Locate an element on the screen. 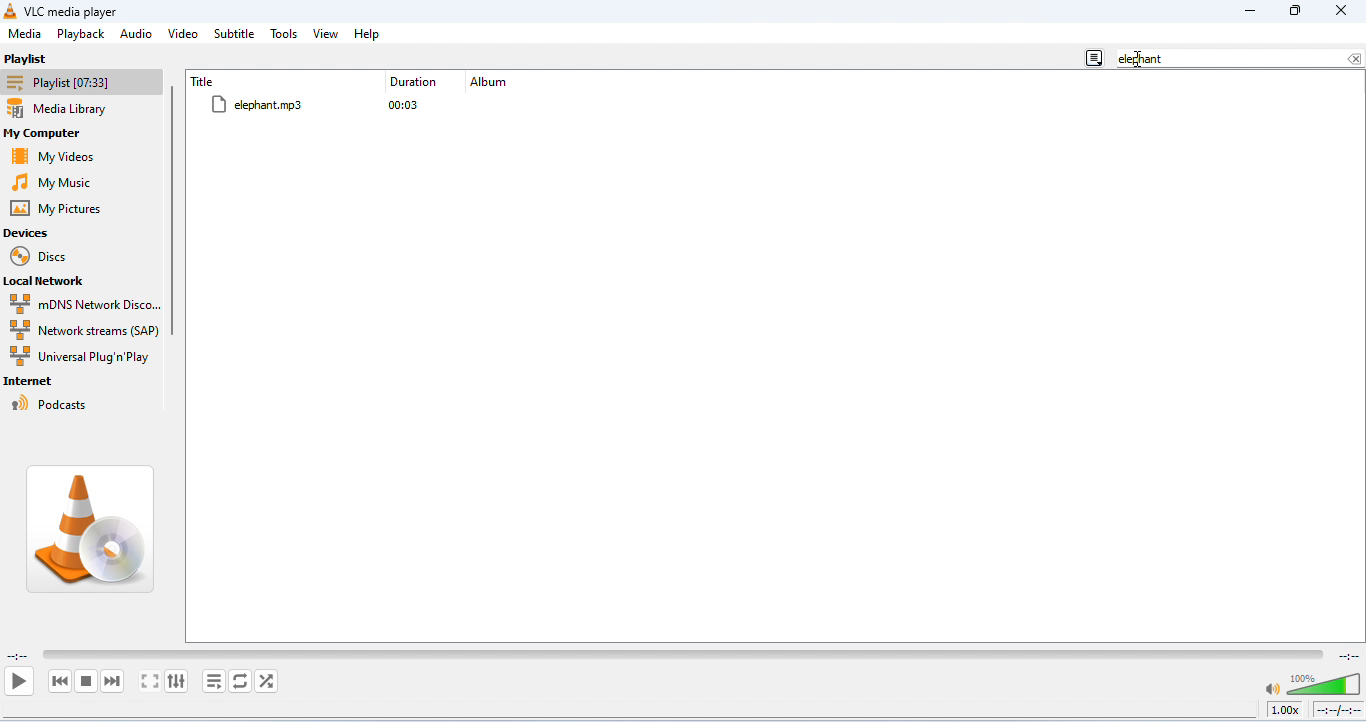  my pictures is located at coordinates (62, 209).